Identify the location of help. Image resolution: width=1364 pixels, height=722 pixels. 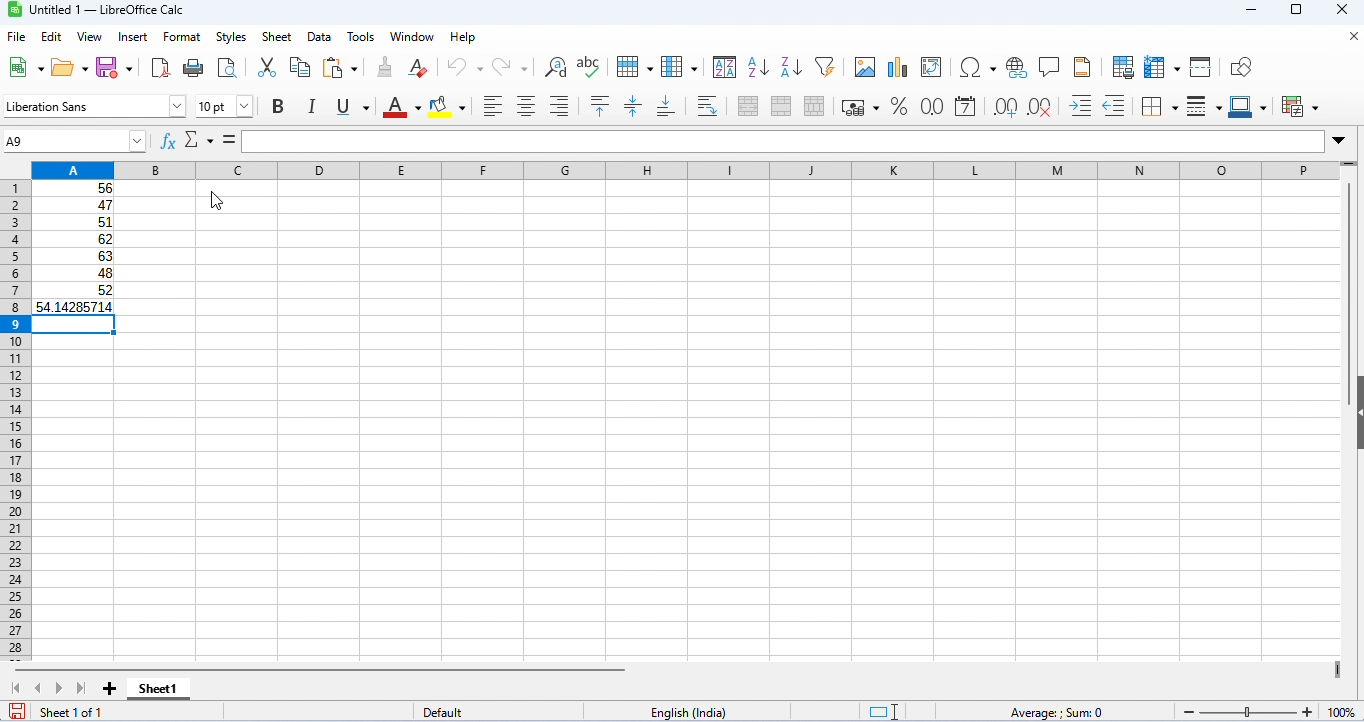
(465, 37).